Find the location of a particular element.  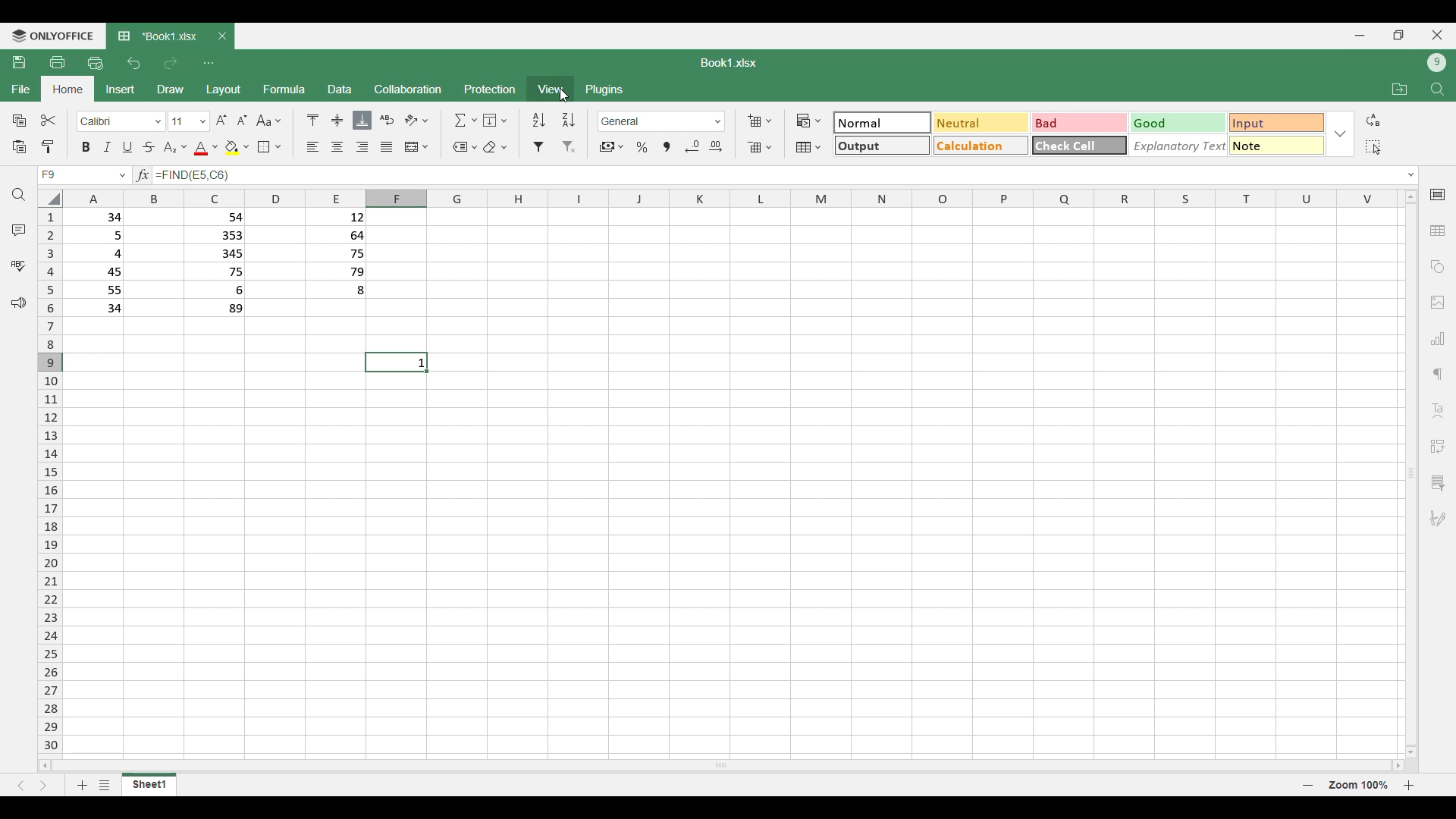

Insert pivot table is located at coordinates (1437, 447).